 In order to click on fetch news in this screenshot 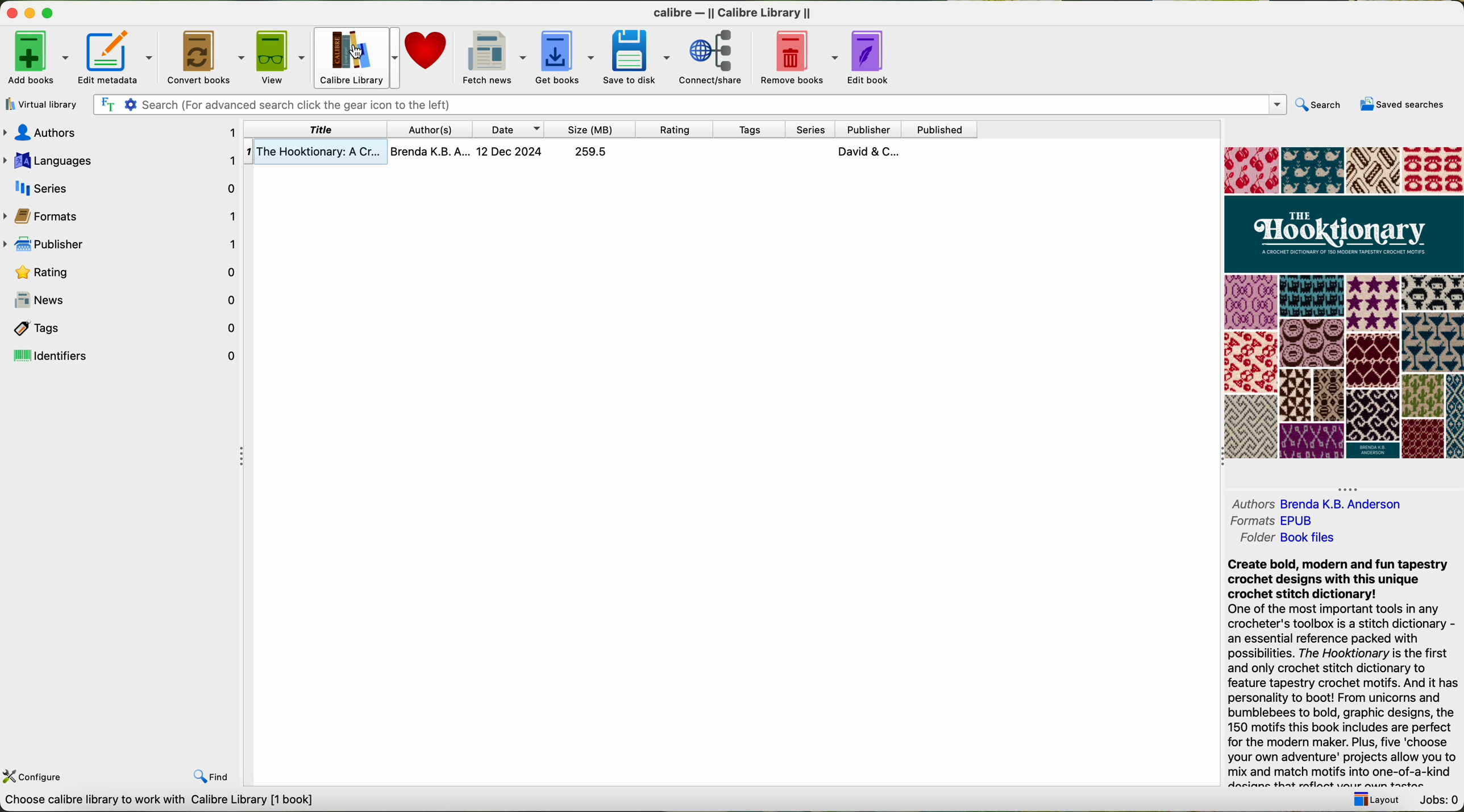, I will do `click(495, 58)`.